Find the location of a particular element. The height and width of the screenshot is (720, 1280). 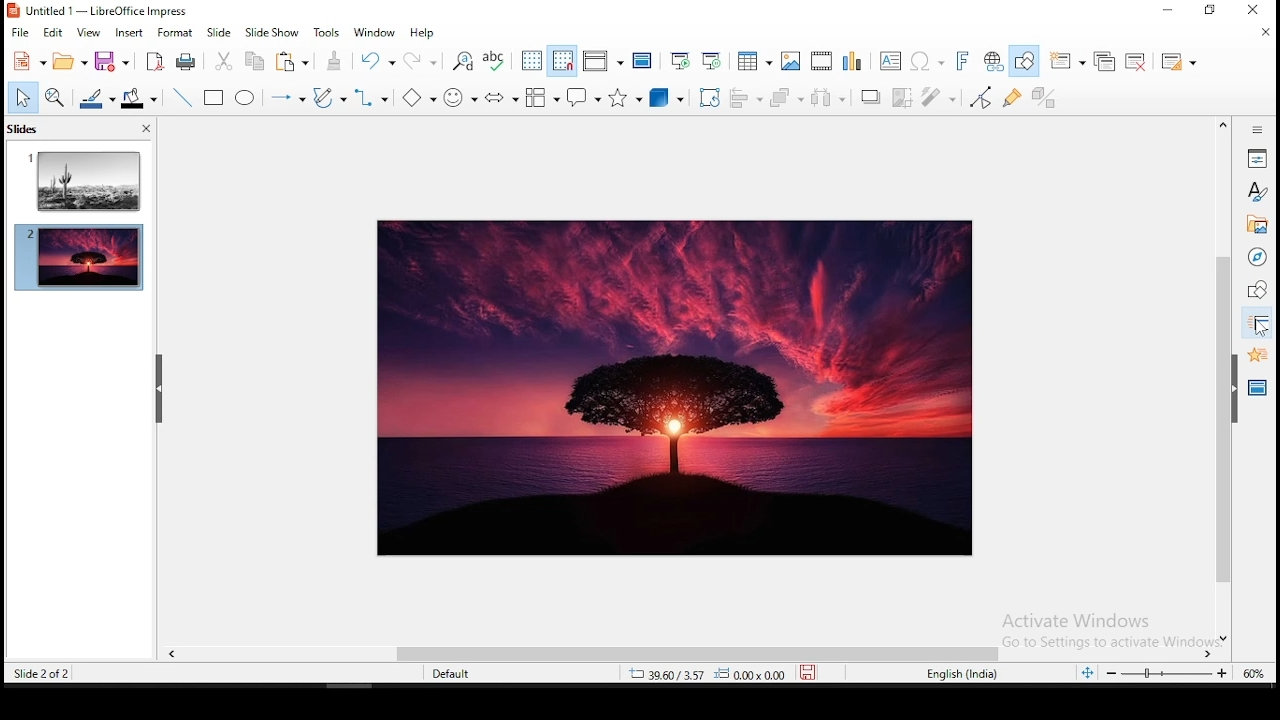

slide transition is located at coordinates (1256, 326).